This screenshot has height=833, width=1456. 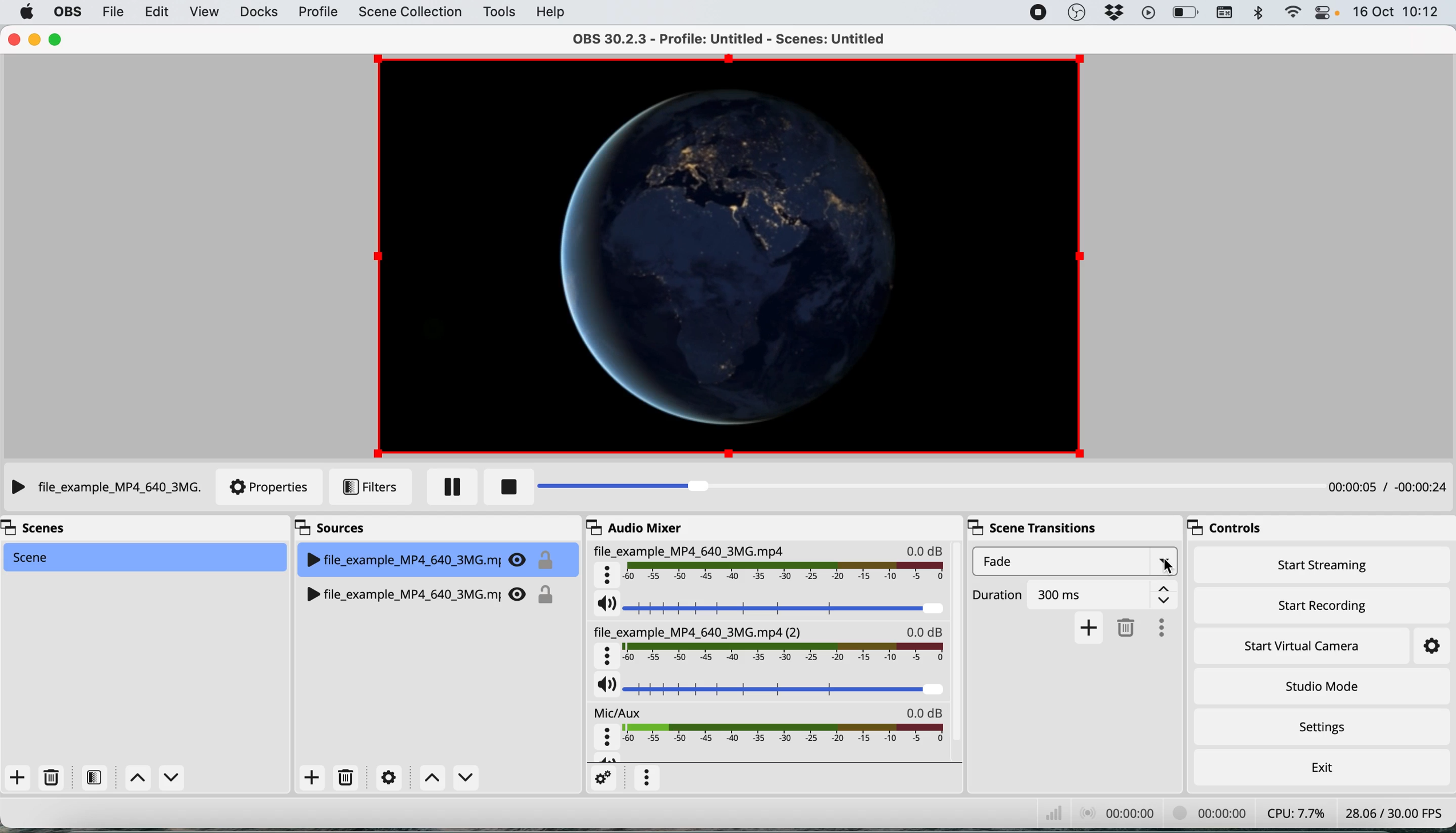 What do you see at coordinates (1329, 13) in the screenshot?
I see `control center` at bounding box center [1329, 13].